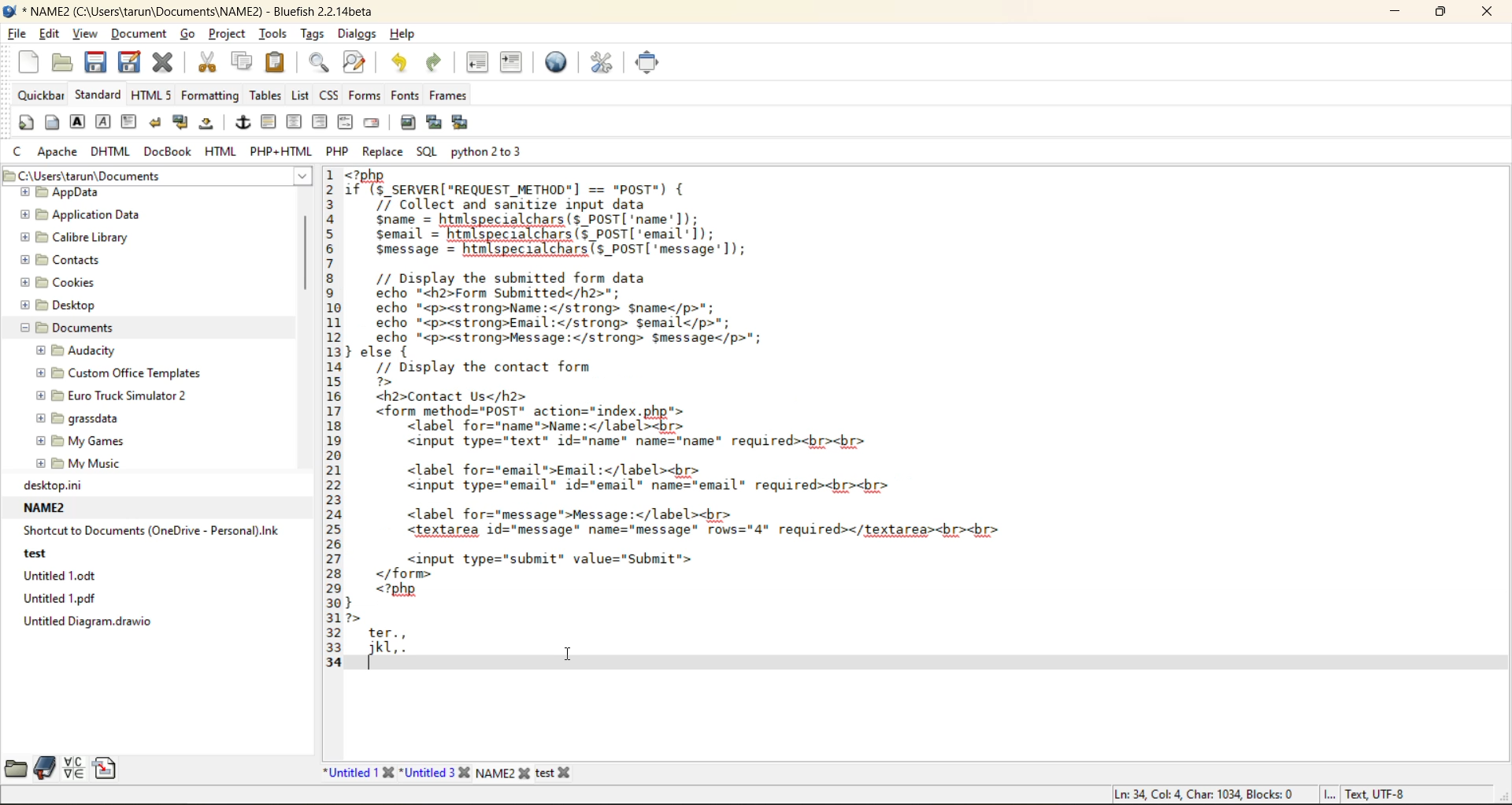 The width and height of the screenshot is (1512, 805). What do you see at coordinates (105, 766) in the screenshot?
I see `snippets` at bounding box center [105, 766].